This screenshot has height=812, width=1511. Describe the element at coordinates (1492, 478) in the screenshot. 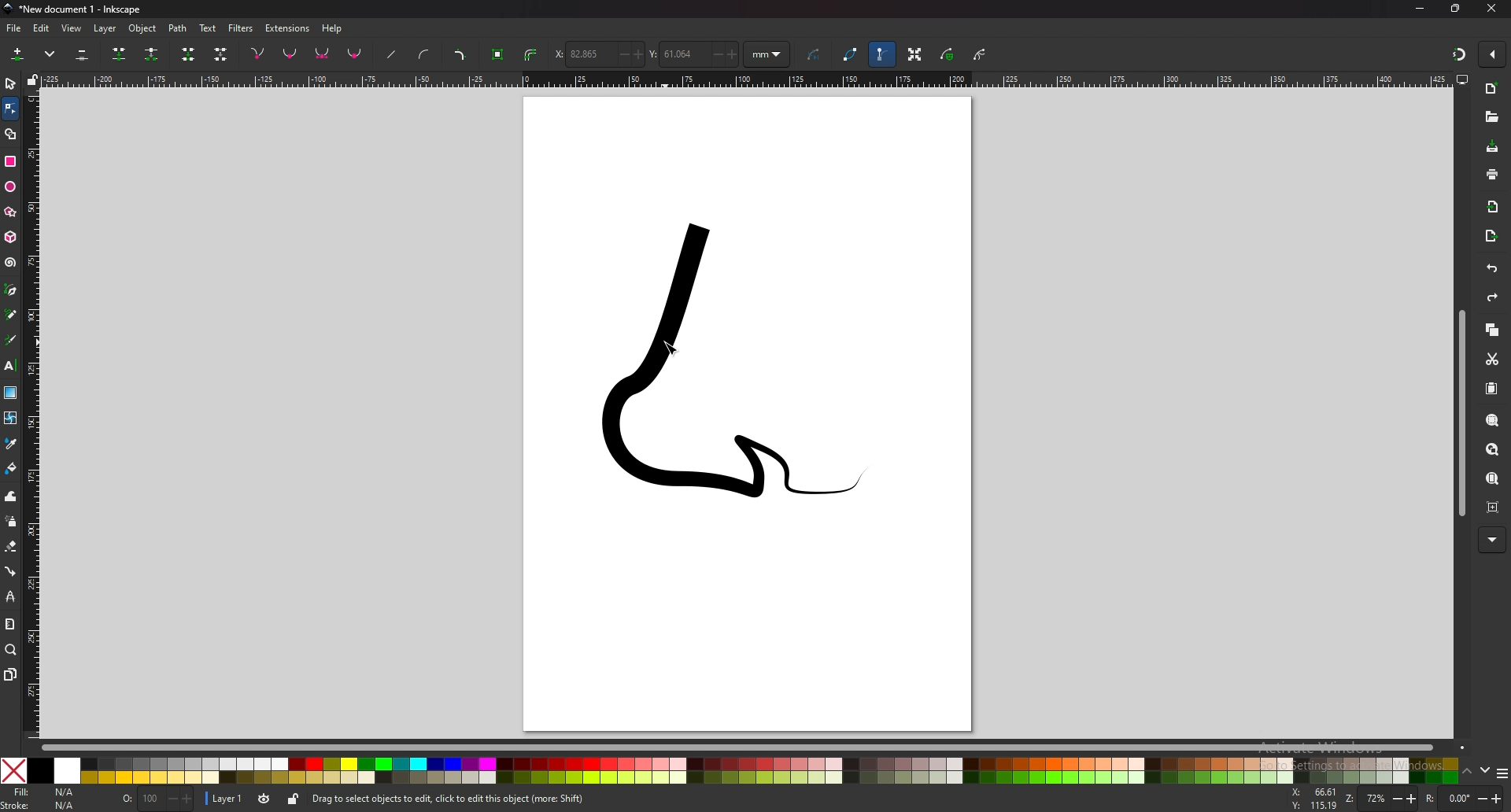

I see `zoom page` at that location.